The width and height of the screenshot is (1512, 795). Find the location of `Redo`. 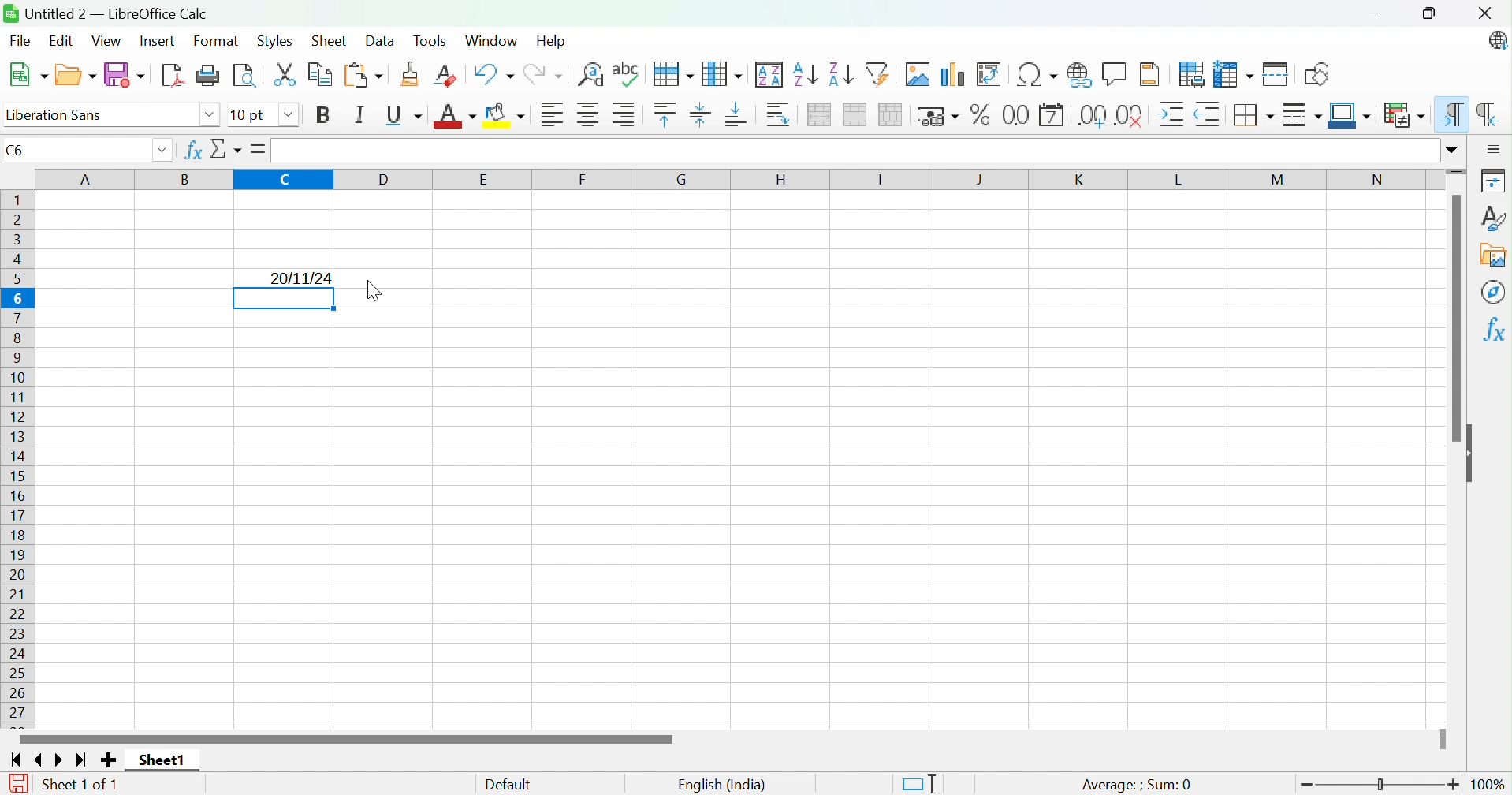

Redo is located at coordinates (542, 76).